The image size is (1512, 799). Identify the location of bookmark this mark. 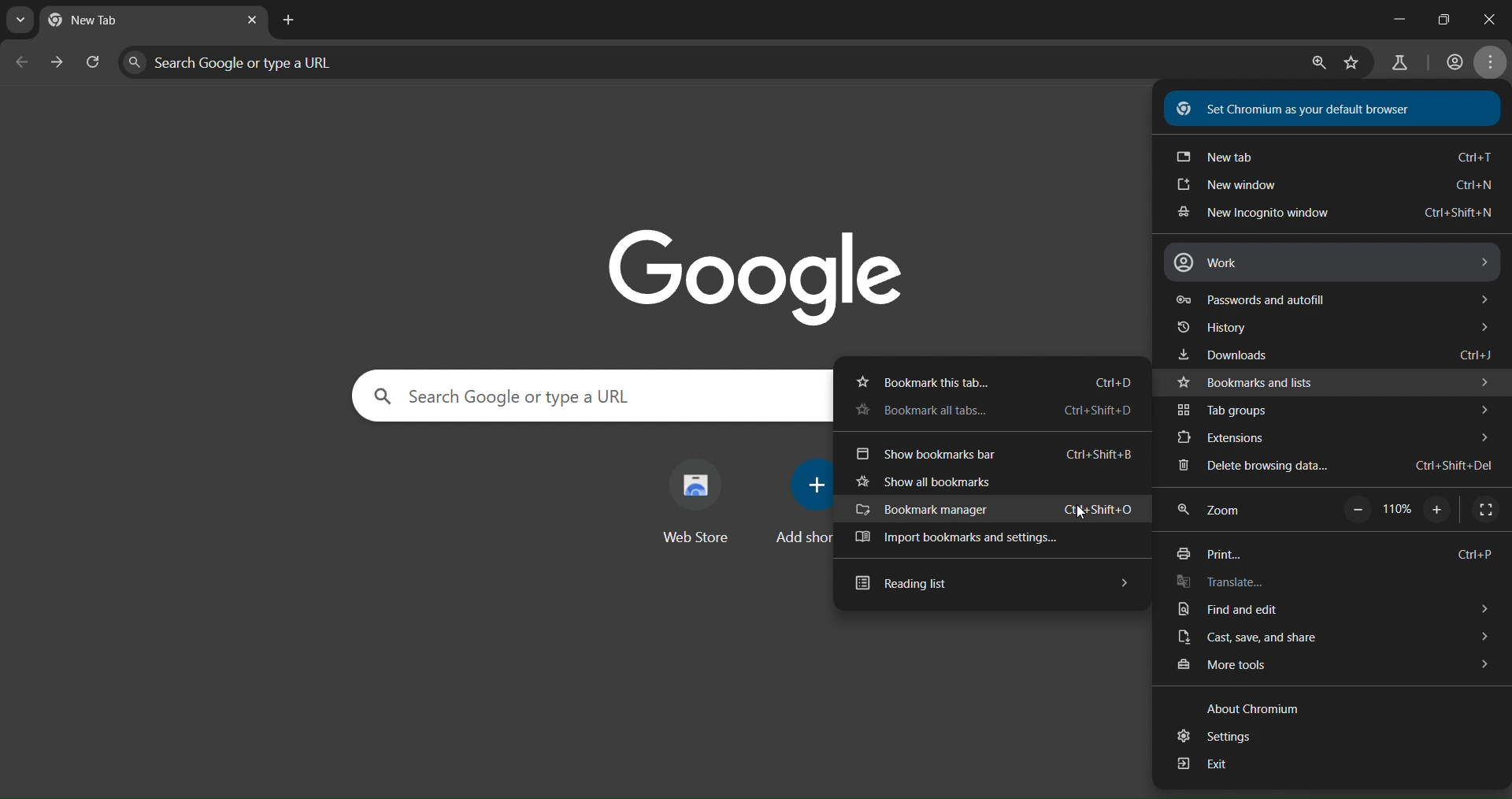
(998, 381).